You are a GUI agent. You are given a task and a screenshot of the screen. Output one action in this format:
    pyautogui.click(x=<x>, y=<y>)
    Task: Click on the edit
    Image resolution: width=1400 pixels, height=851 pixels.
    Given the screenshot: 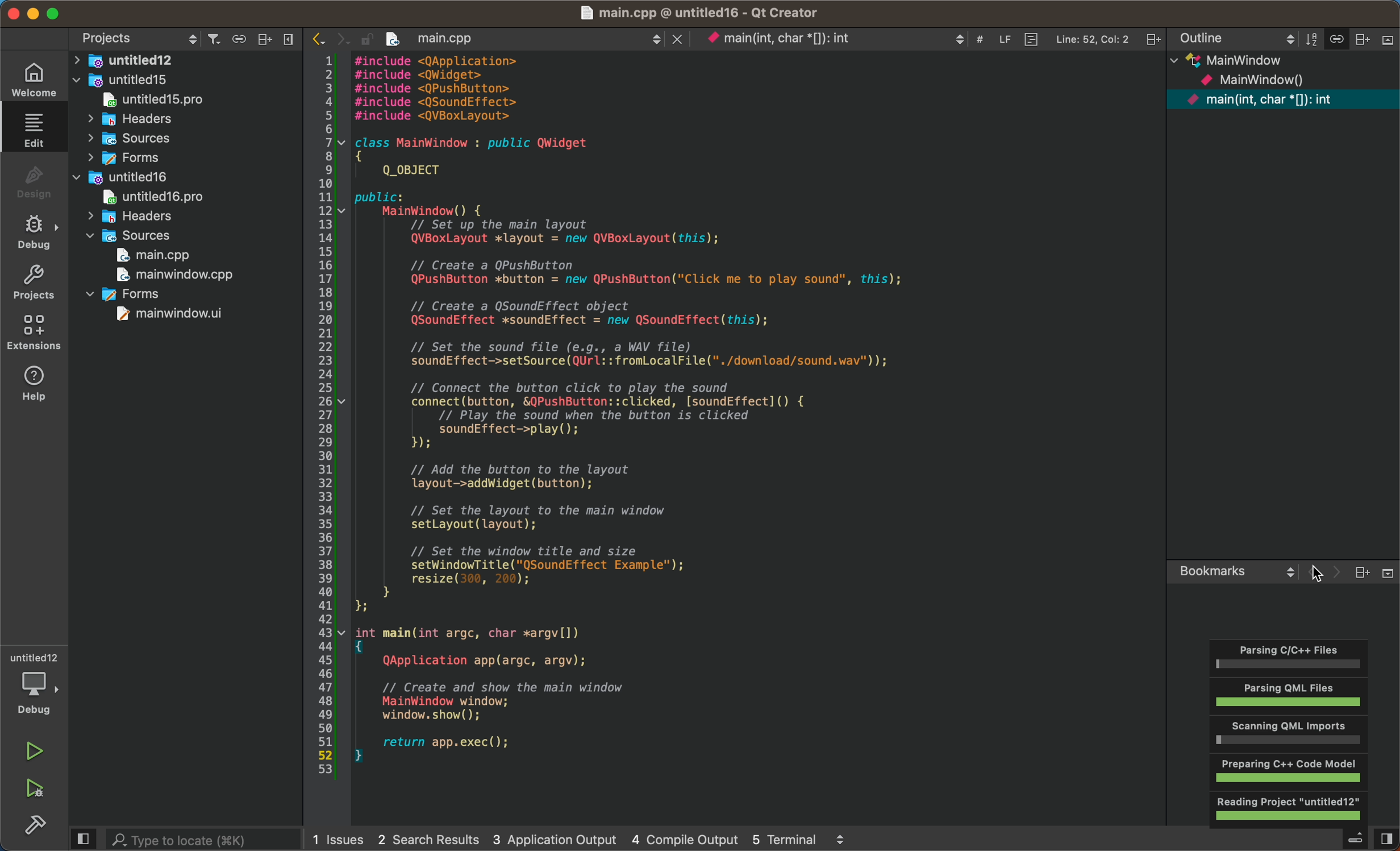 What is the action you would take?
    pyautogui.click(x=34, y=129)
    